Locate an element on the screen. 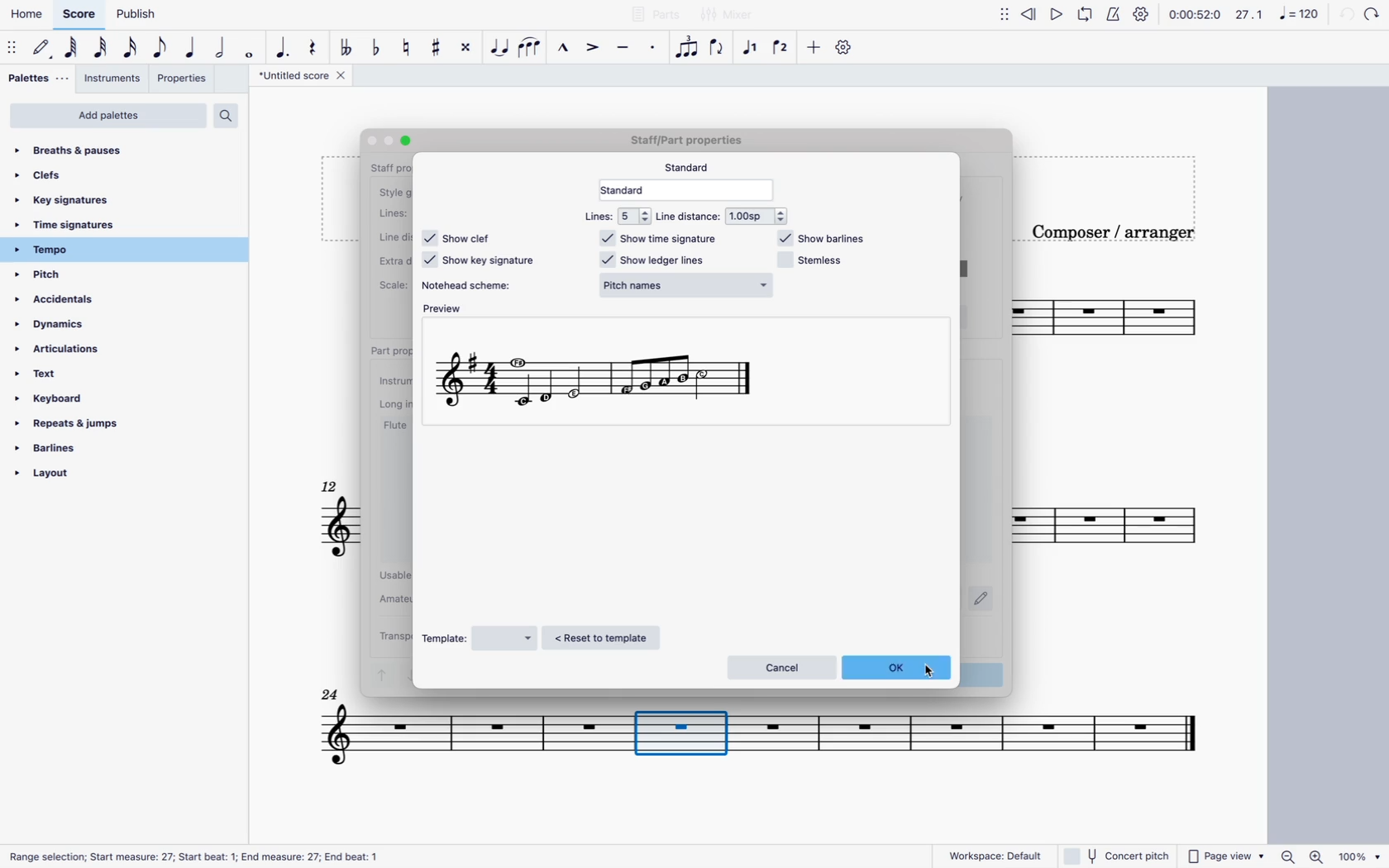 This screenshot has width=1389, height=868. toggle flat is located at coordinates (379, 47).